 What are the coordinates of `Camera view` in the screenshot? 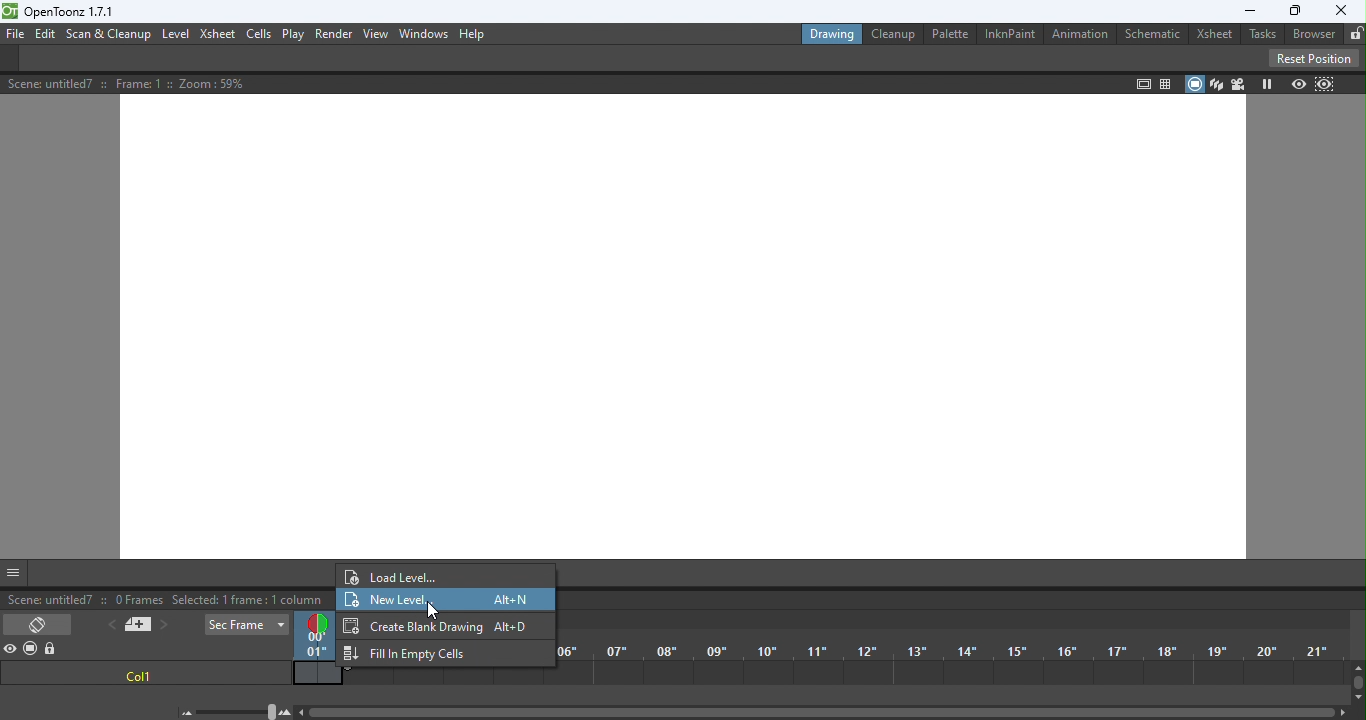 It's located at (1237, 84).